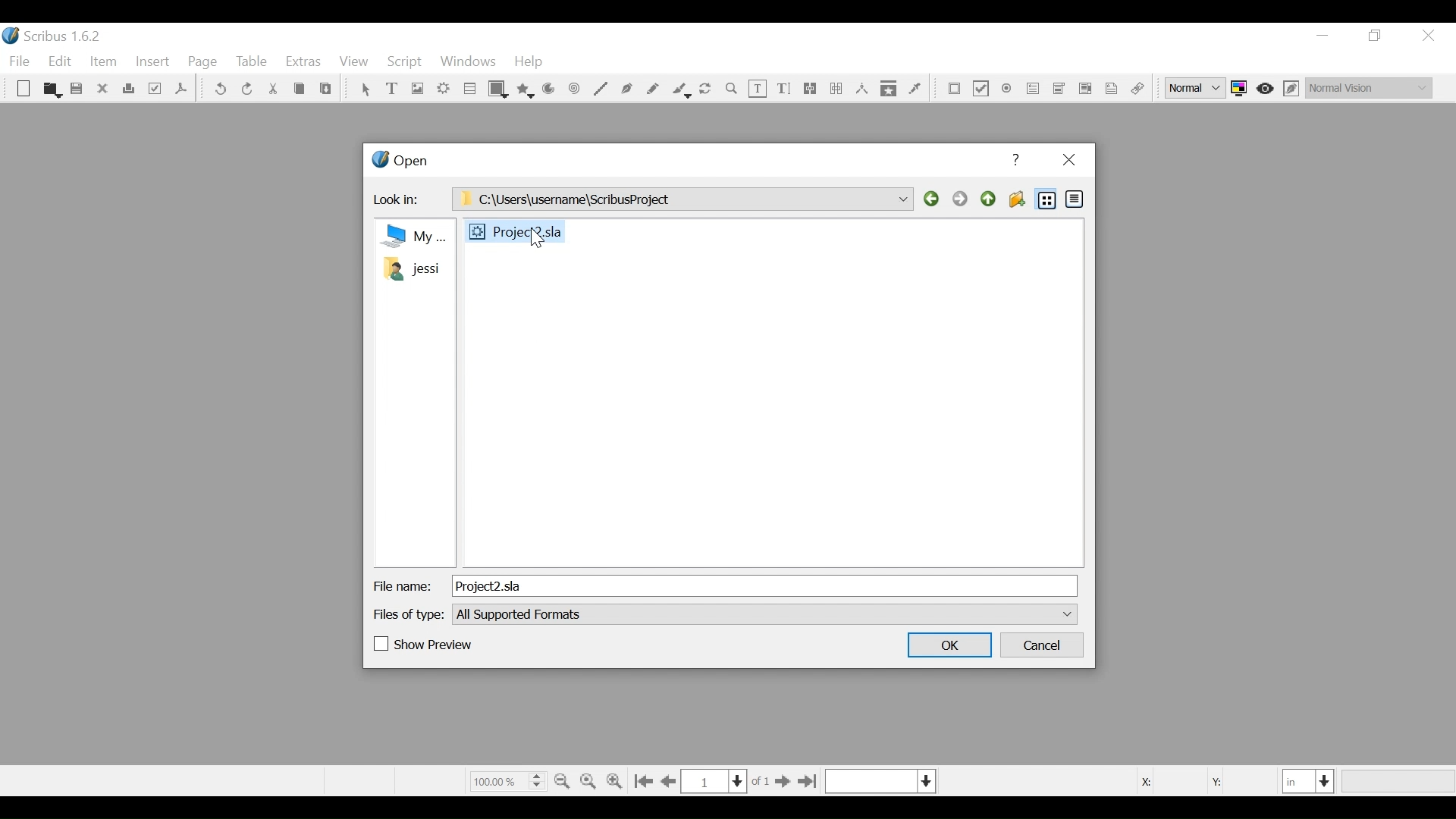  What do you see at coordinates (61, 62) in the screenshot?
I see `Edit` at bounding box center [61, 62].